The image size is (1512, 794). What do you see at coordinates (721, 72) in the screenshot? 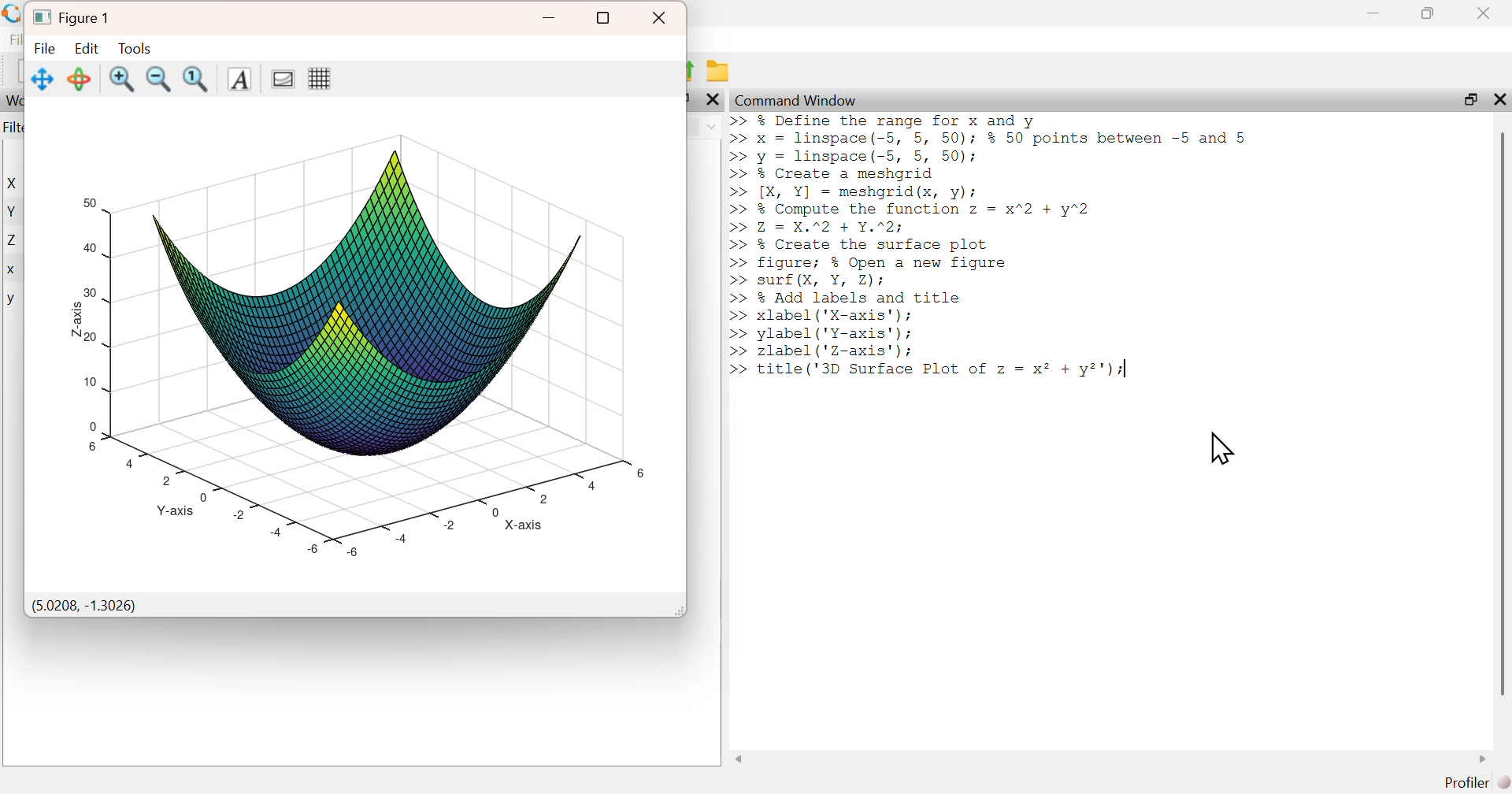
I see `Folder` at bounding box center [721, 72].